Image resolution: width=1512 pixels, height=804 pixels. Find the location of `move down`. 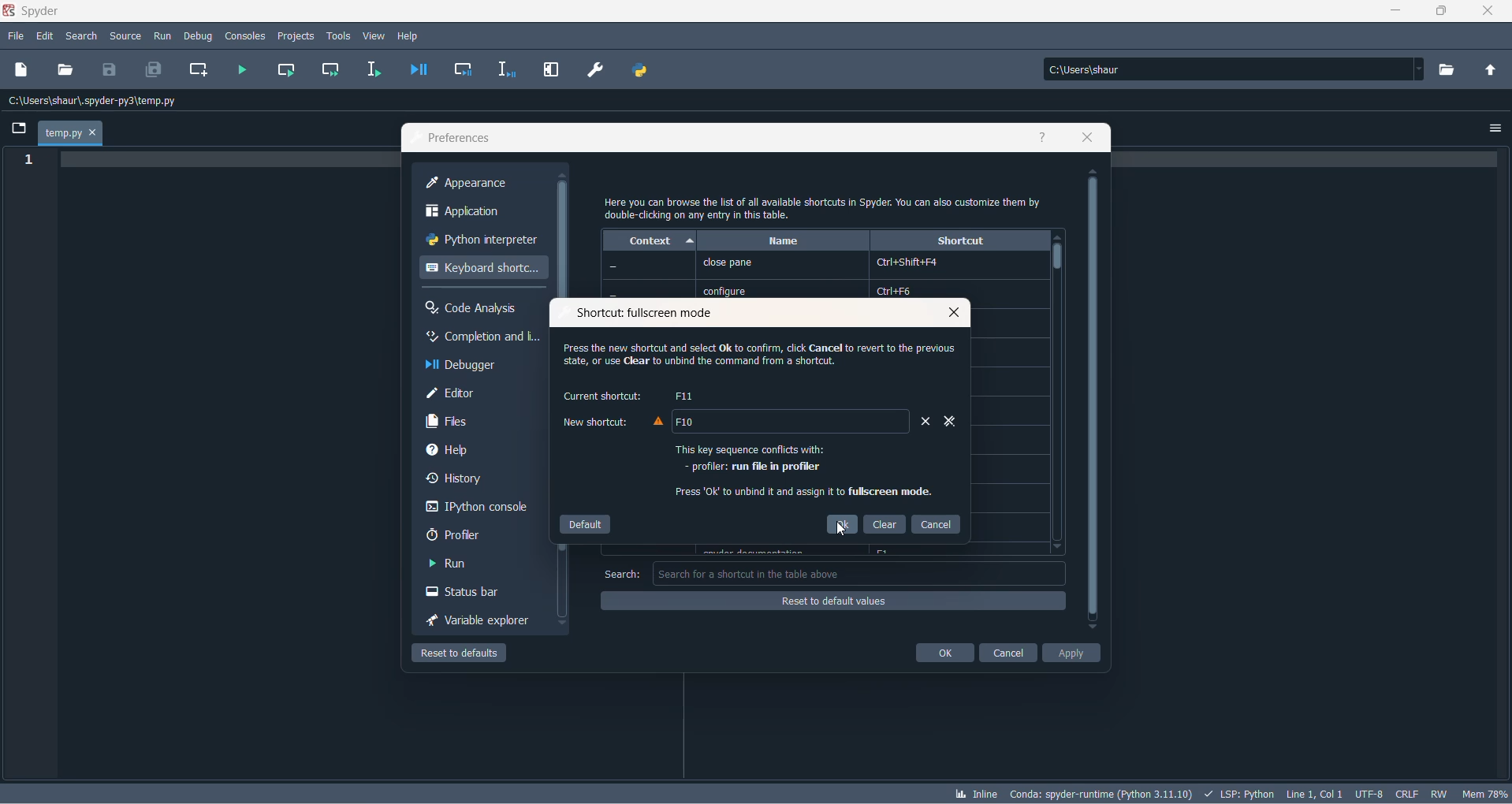

move down is located at coordinates (1092, 628).